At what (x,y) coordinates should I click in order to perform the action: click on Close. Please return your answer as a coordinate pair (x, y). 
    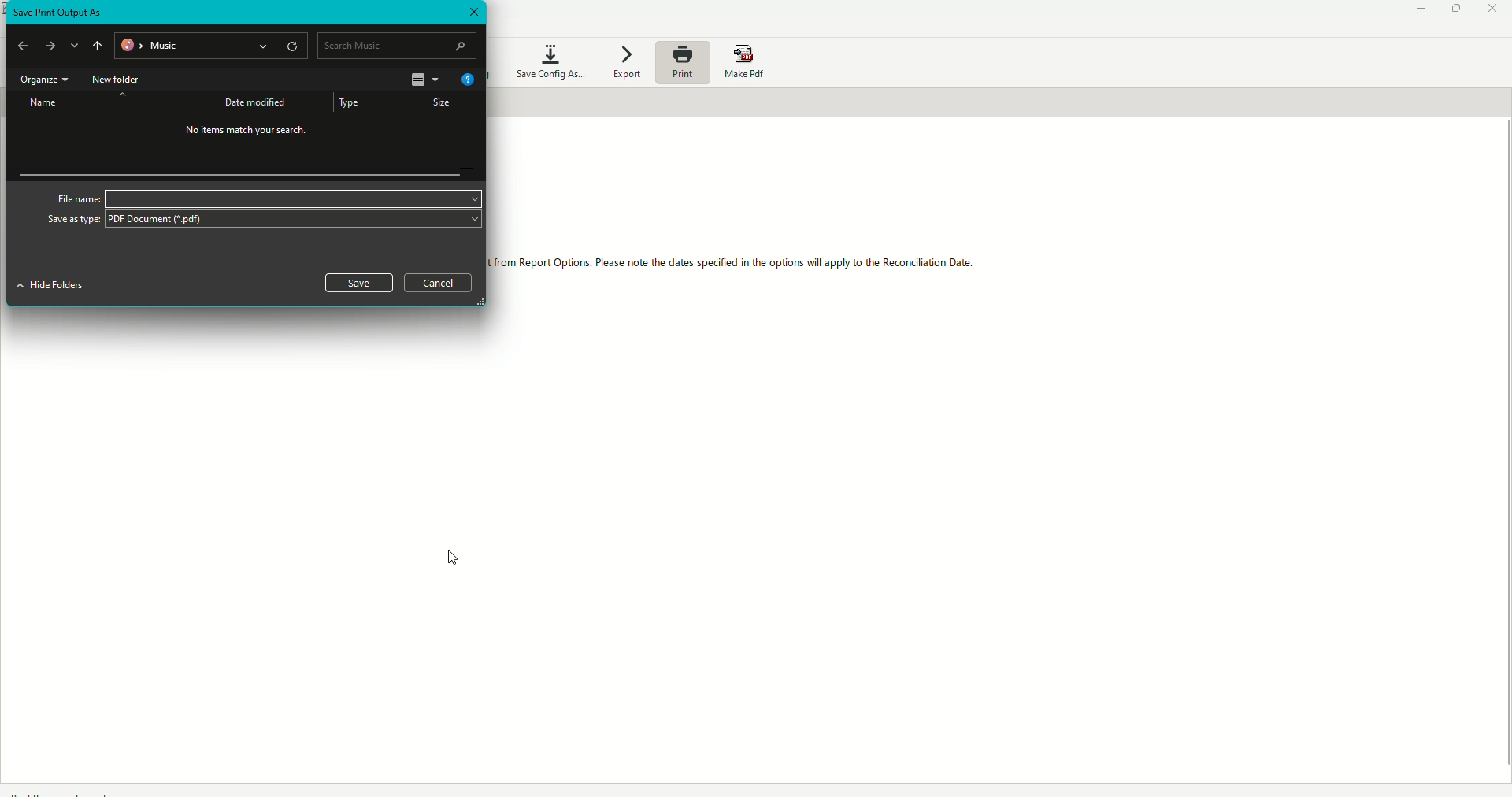
    Looking at the image, I should click on (1492, 9).